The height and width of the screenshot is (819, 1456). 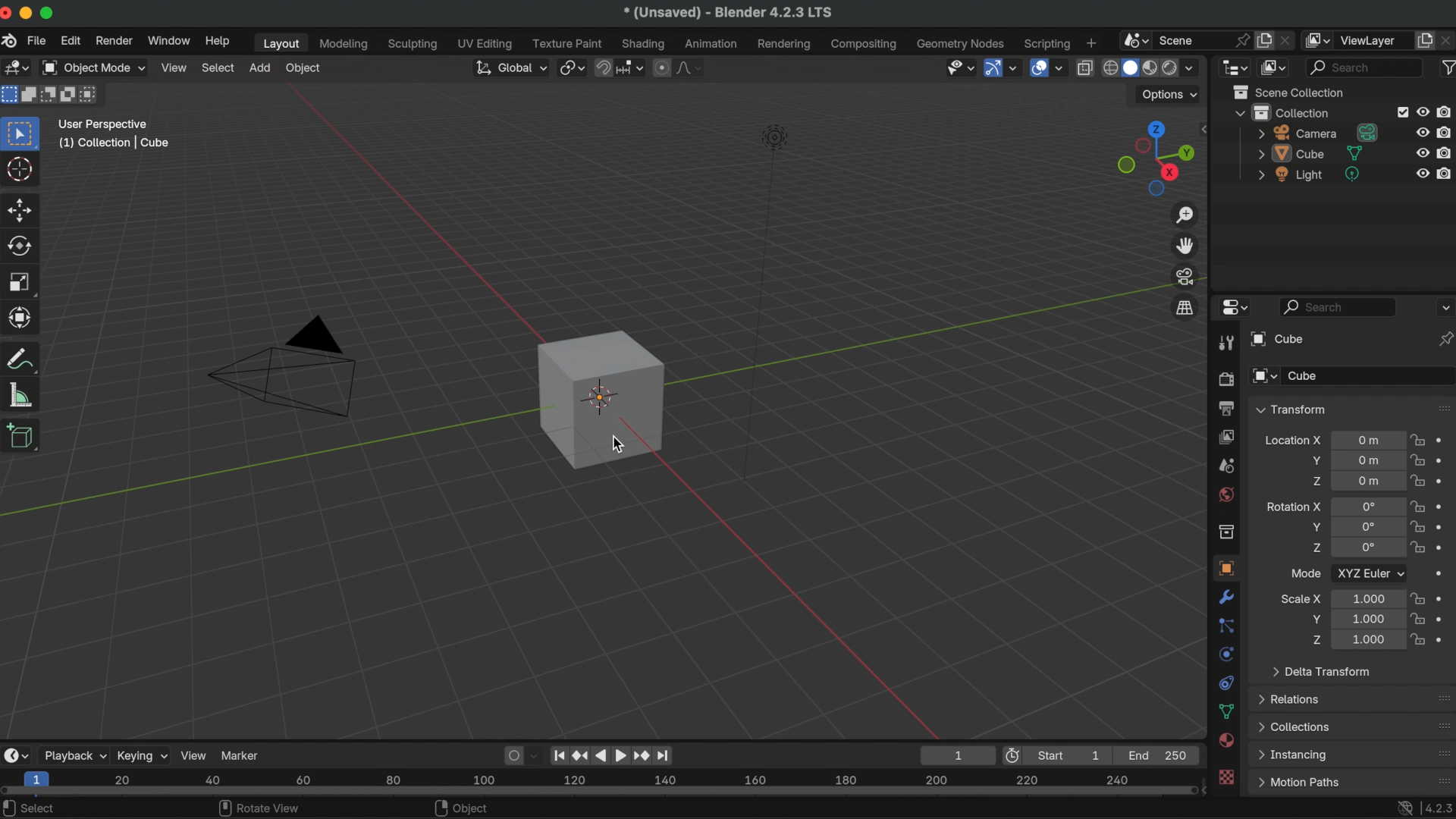 What do you see at coordinates (1319, 39) in the screenshot?
I see `active workspace view layer` at bounding box center [1319, 39].